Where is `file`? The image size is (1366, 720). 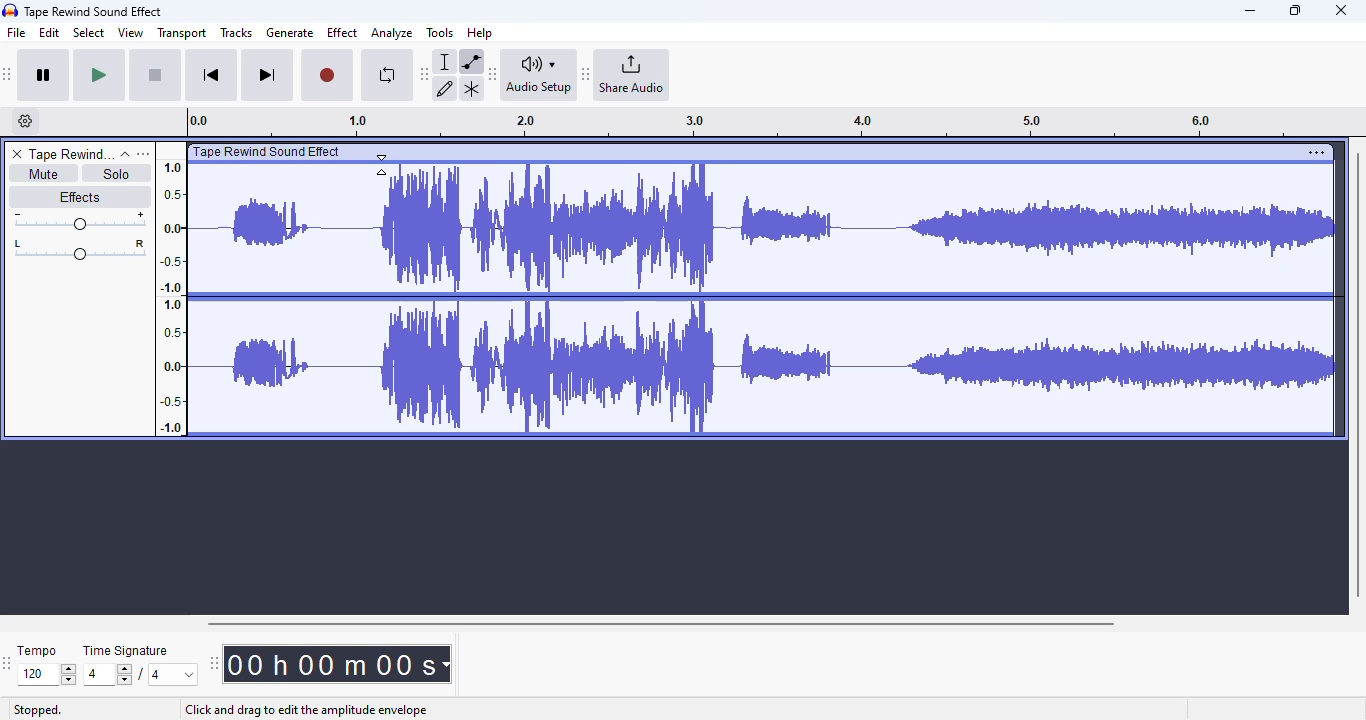 file is located at coordinates (17, 33).